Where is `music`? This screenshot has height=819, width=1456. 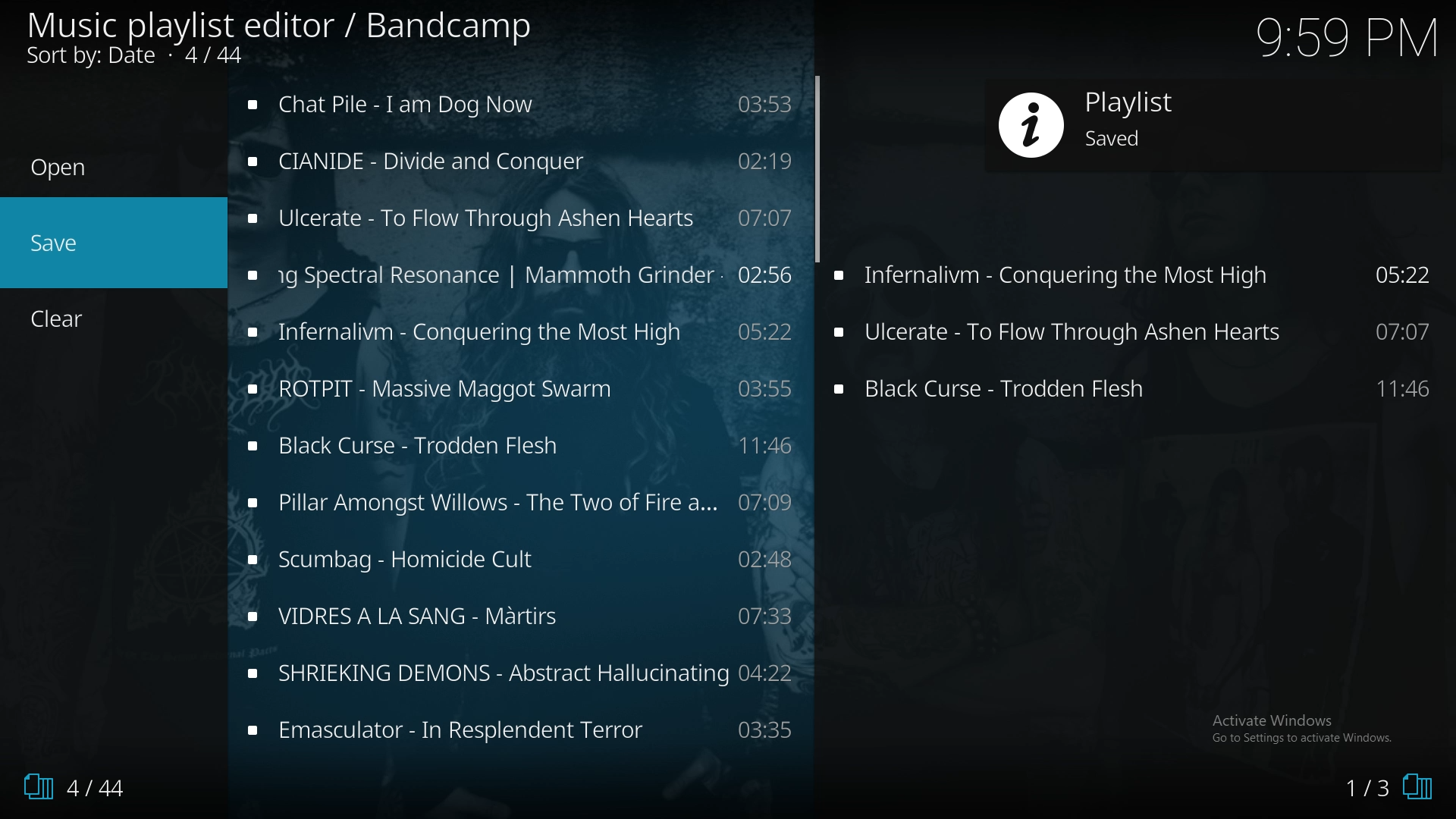 music is located at coordinates (524, 671).